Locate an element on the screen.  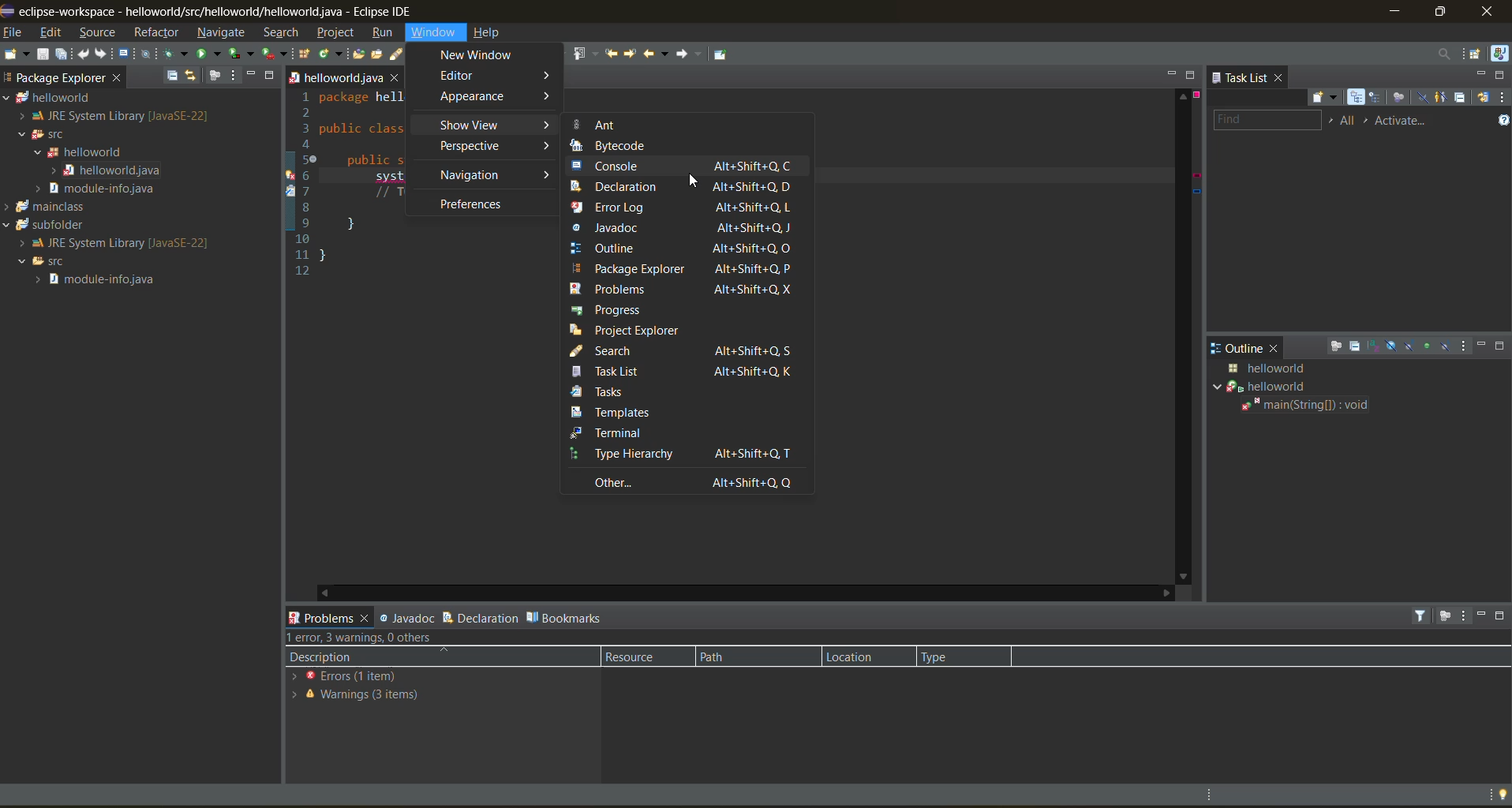
hide static fields and methods is located at coordinates (1414, 346).